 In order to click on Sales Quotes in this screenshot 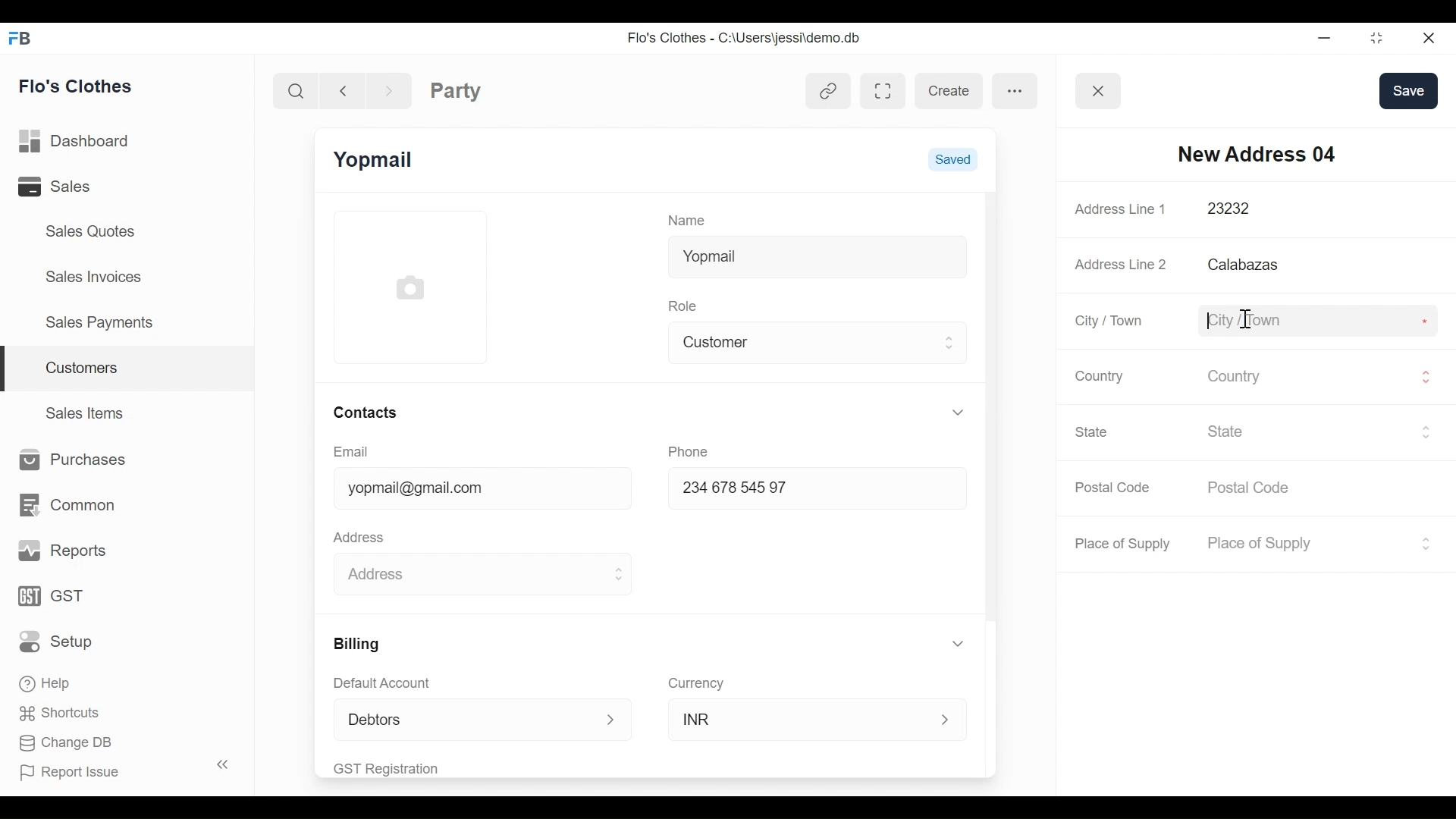, I will do `click(92, 231)`.